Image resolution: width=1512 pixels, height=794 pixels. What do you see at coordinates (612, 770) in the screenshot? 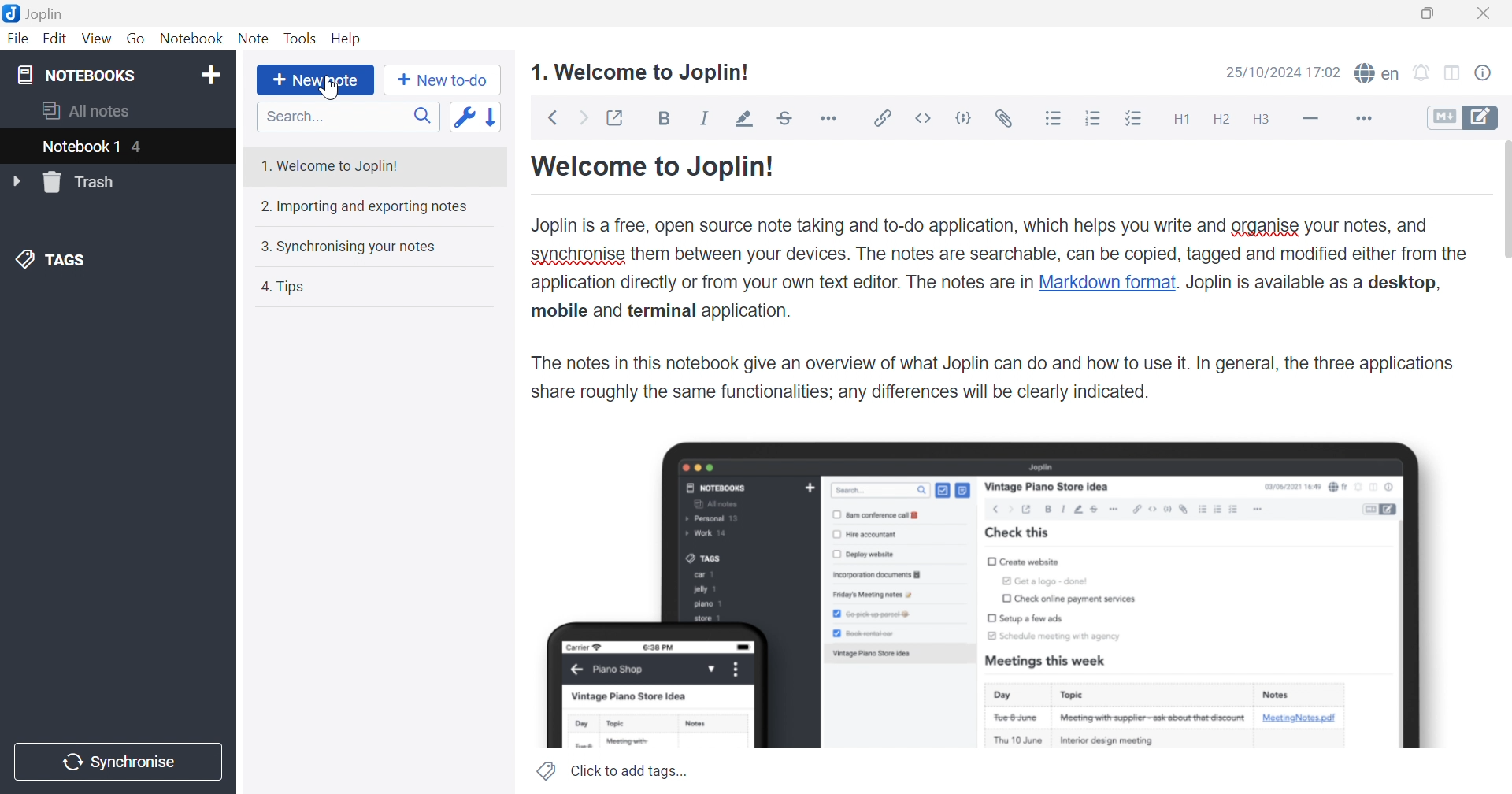
I see `Click to add tags` at bounding box center [612, 770].